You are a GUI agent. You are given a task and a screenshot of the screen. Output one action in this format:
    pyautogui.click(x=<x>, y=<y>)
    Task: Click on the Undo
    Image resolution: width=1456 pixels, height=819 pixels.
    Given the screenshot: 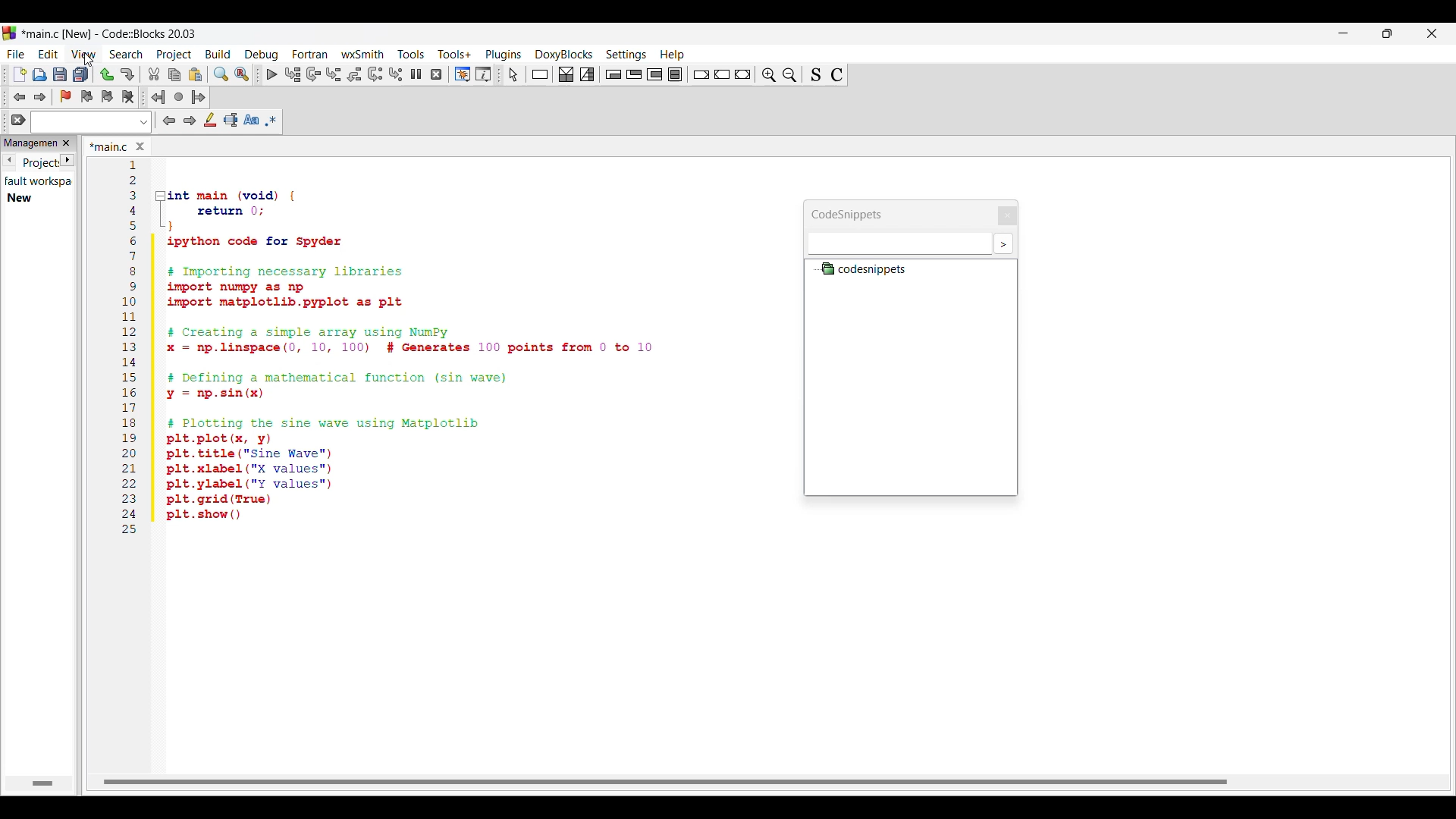 What is the action you would take?
    pyautogui.click(x=107, y=74)
    